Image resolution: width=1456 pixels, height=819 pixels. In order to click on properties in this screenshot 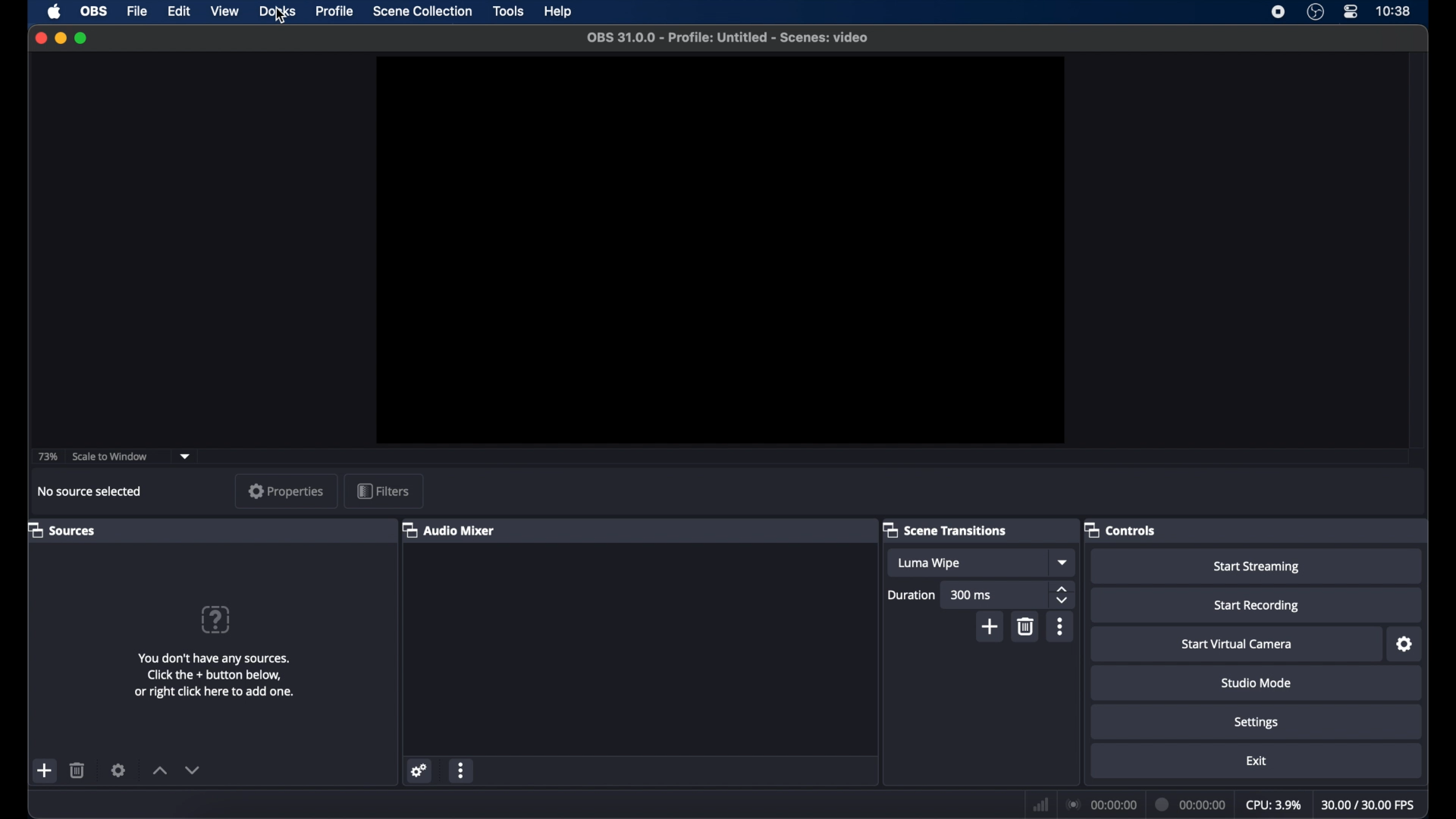, I will do `click(286, 491)`.